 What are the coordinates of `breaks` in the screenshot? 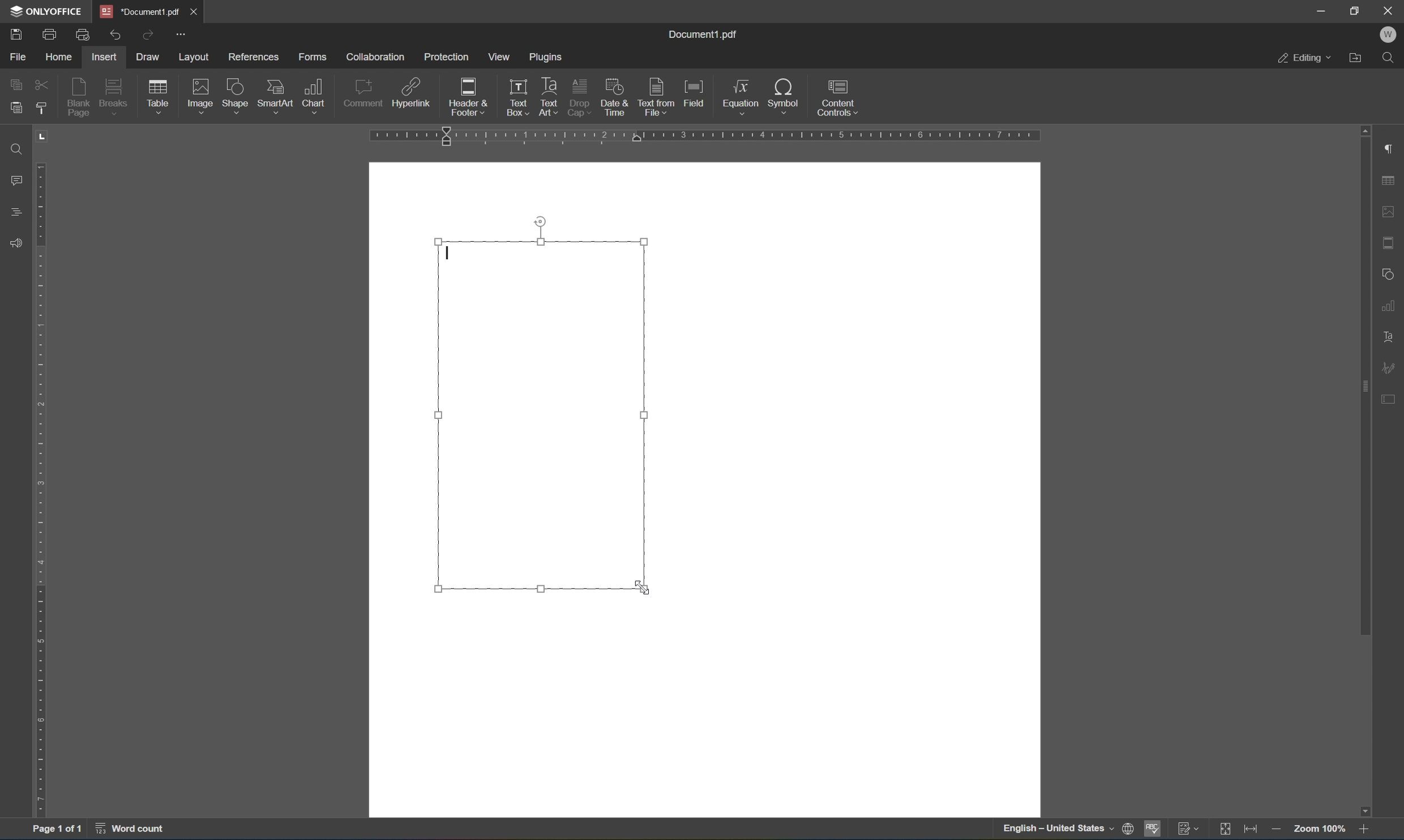 It's located at (117, 96).